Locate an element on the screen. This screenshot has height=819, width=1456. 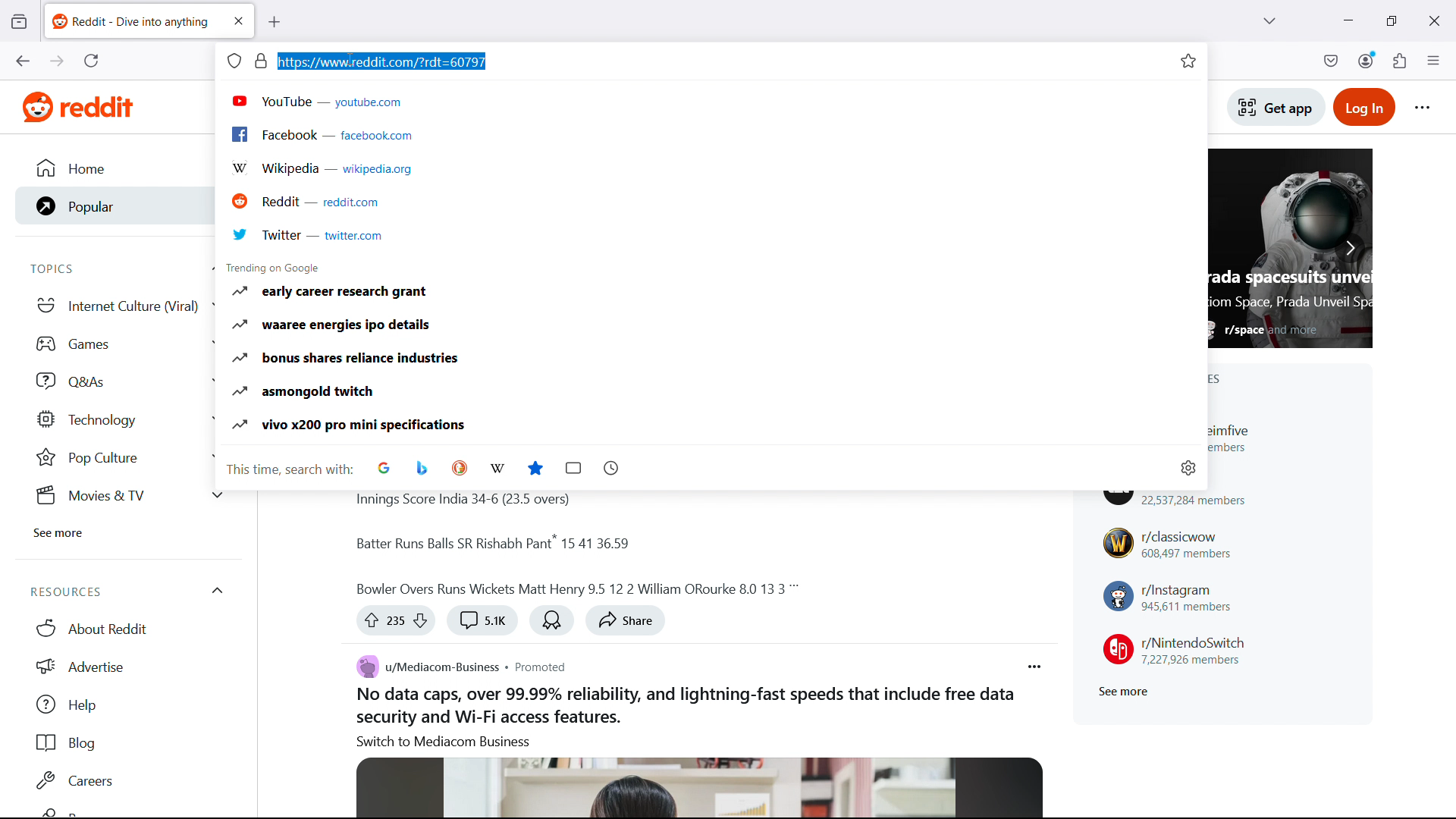
Login to reddit is located at coordinates (1367, 106).